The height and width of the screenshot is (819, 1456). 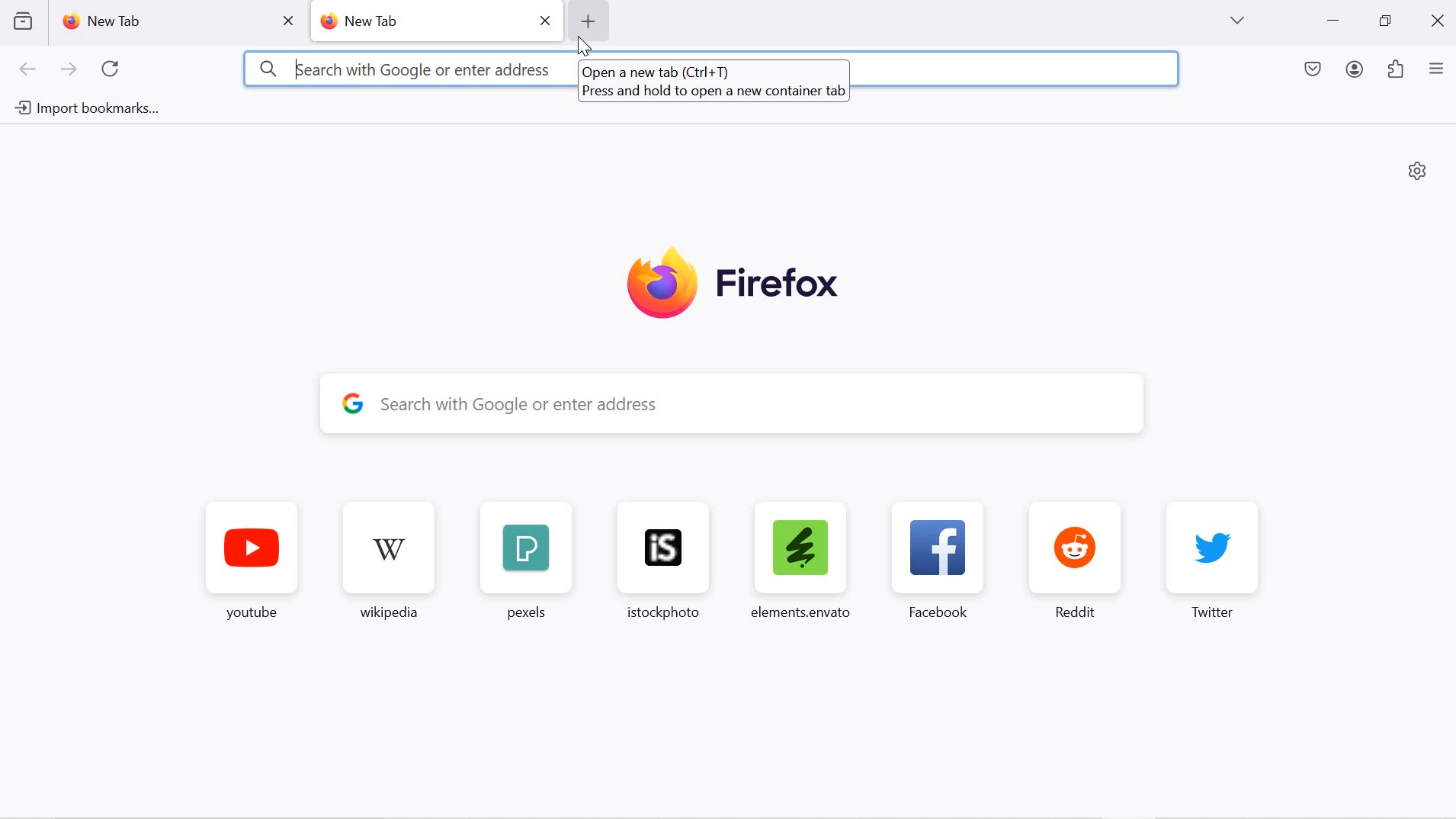 I want to click on hover text: Open a new tab (Ctrl+T) Press and hold to open a new container tab, so click(x=705, y=82).